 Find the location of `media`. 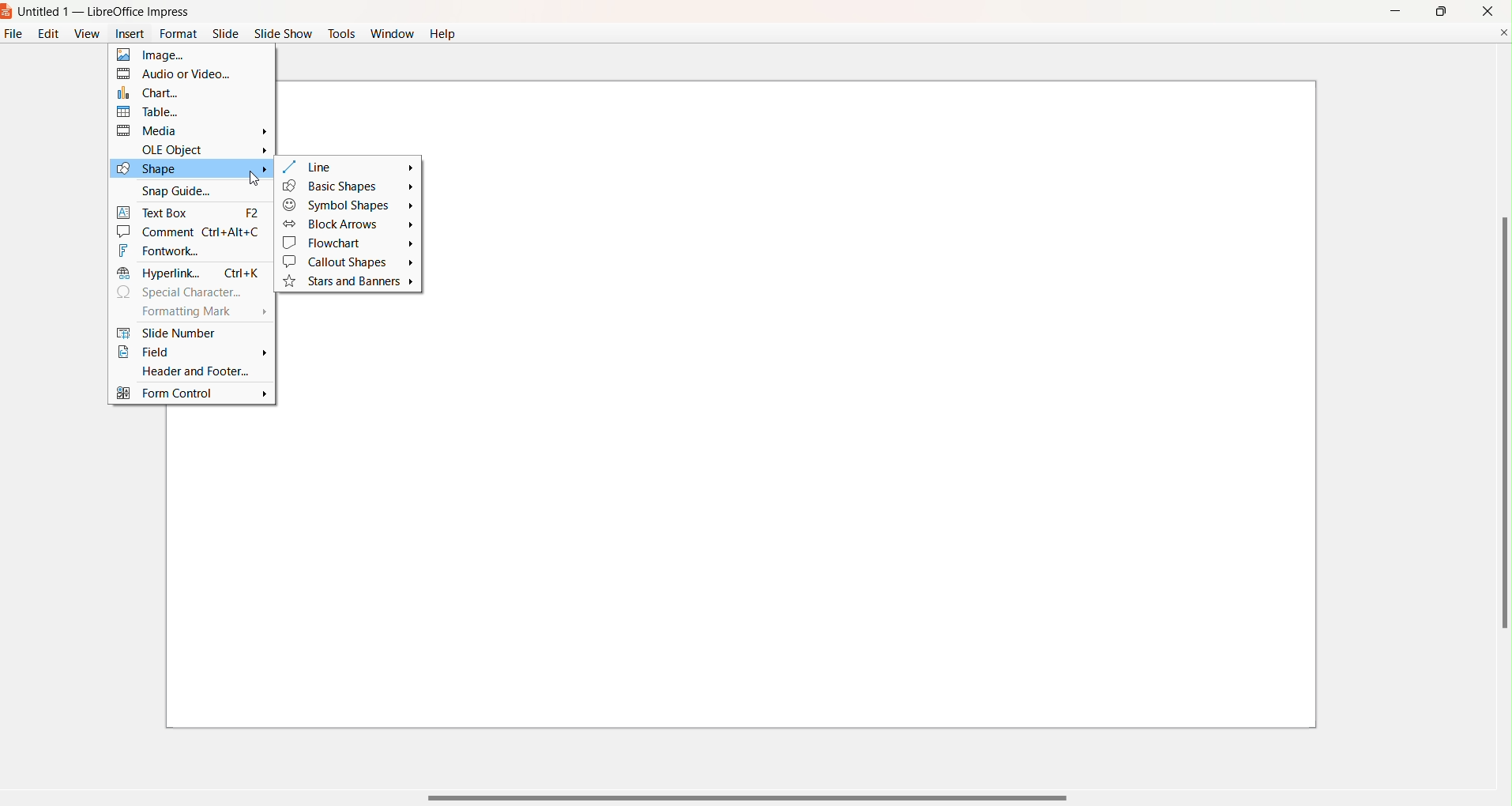

media is located at coordinates (194, 130).